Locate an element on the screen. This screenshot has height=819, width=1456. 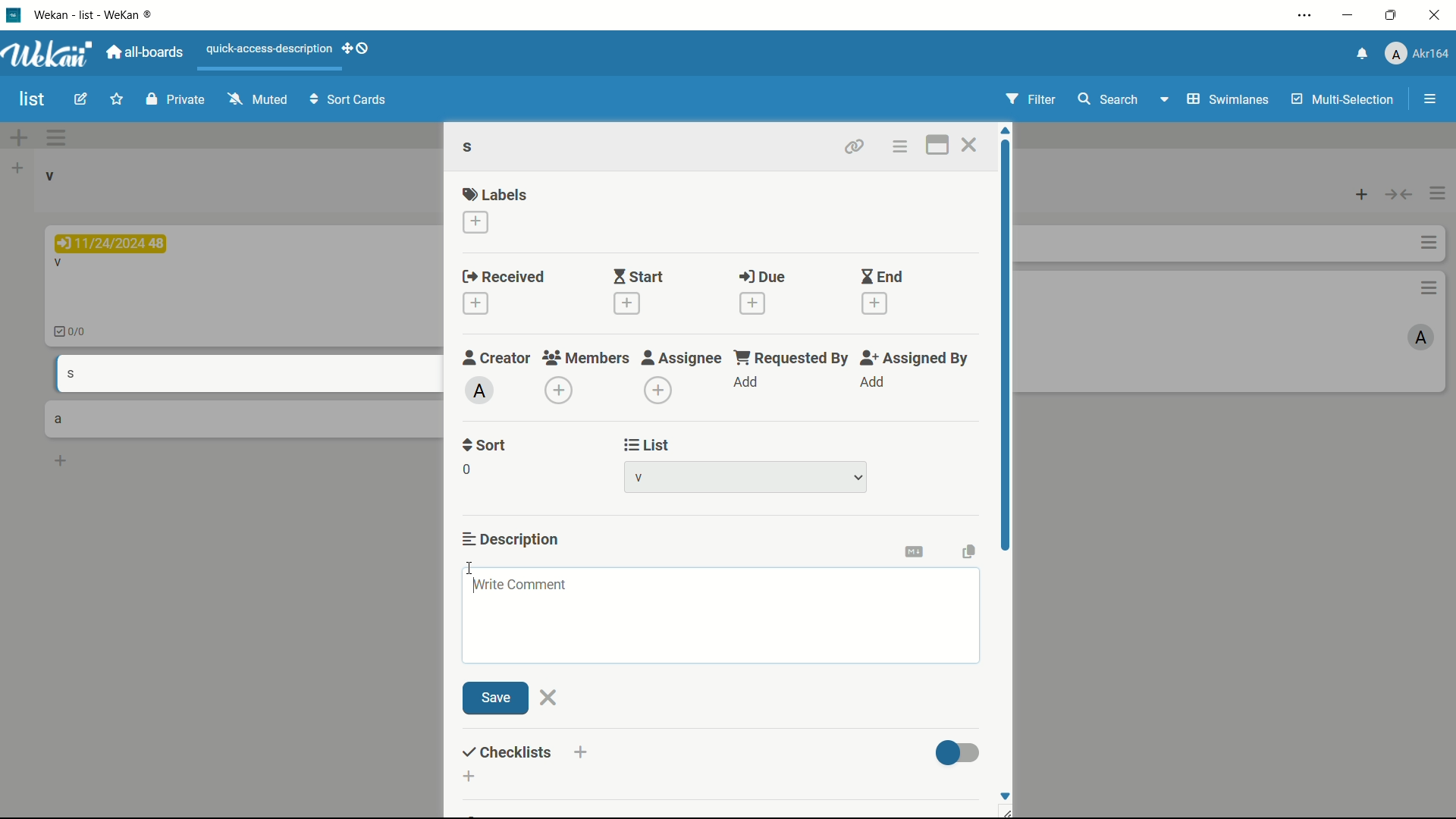
checklist is located at coordinates (525, 753).